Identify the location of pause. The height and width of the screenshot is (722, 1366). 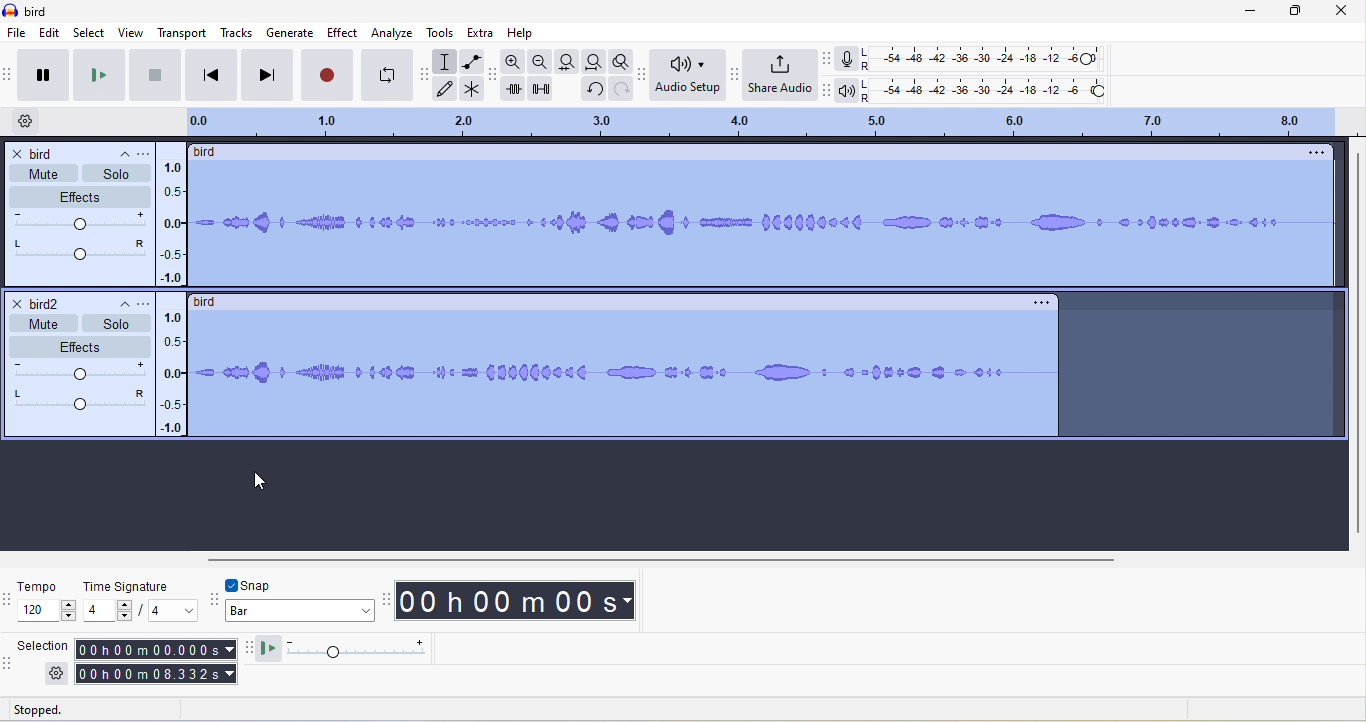
(42, 73).